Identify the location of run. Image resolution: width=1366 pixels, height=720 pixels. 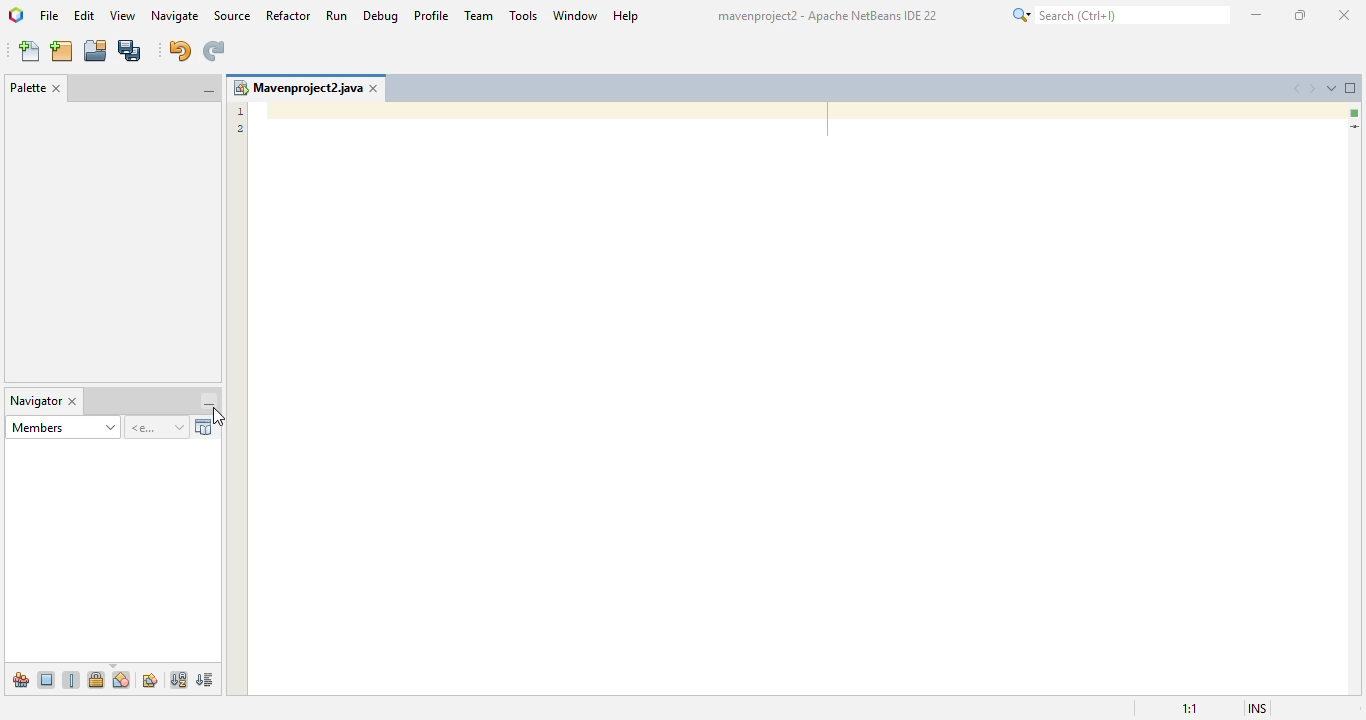
(337, 15).